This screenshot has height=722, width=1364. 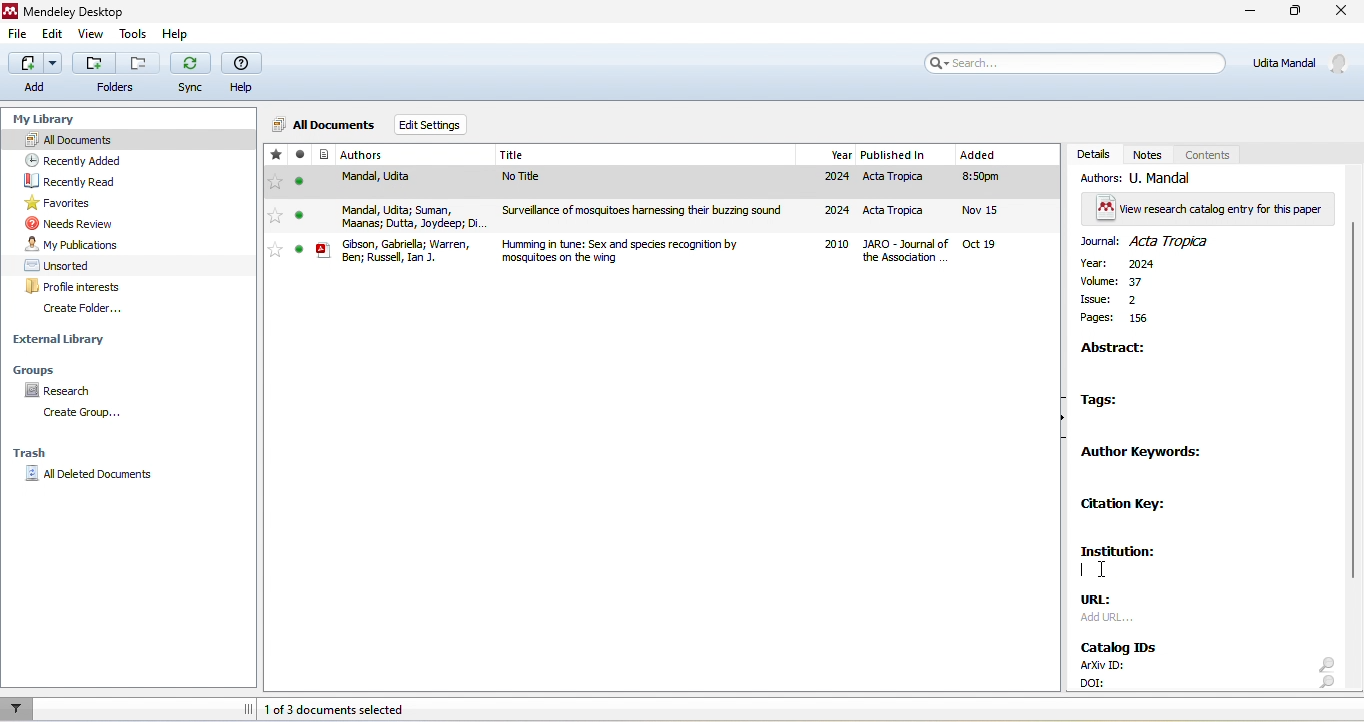 I want to click on external library, so click(x=62, y=339).